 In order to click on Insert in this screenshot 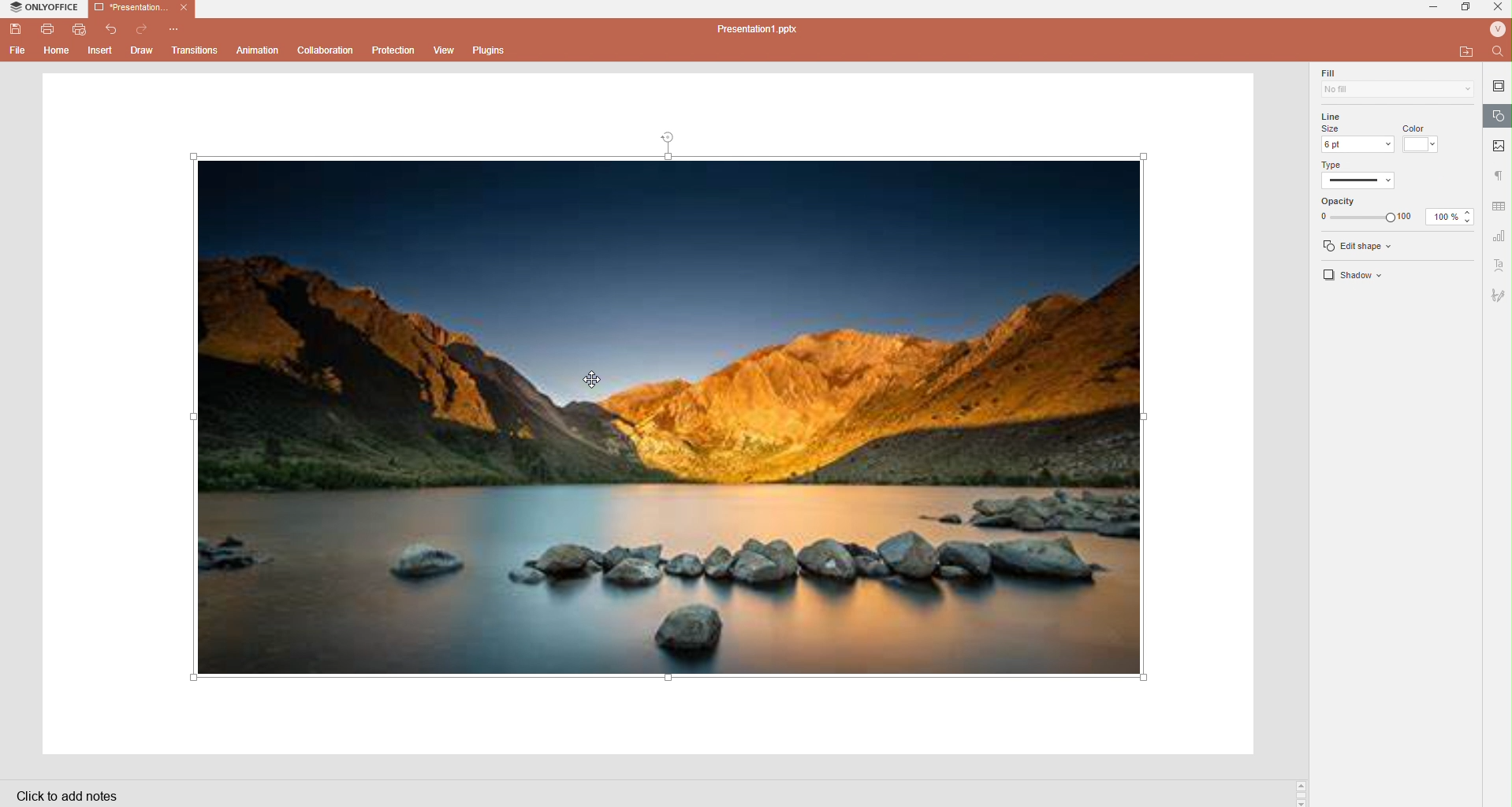, I will do `click(101, 50)`.